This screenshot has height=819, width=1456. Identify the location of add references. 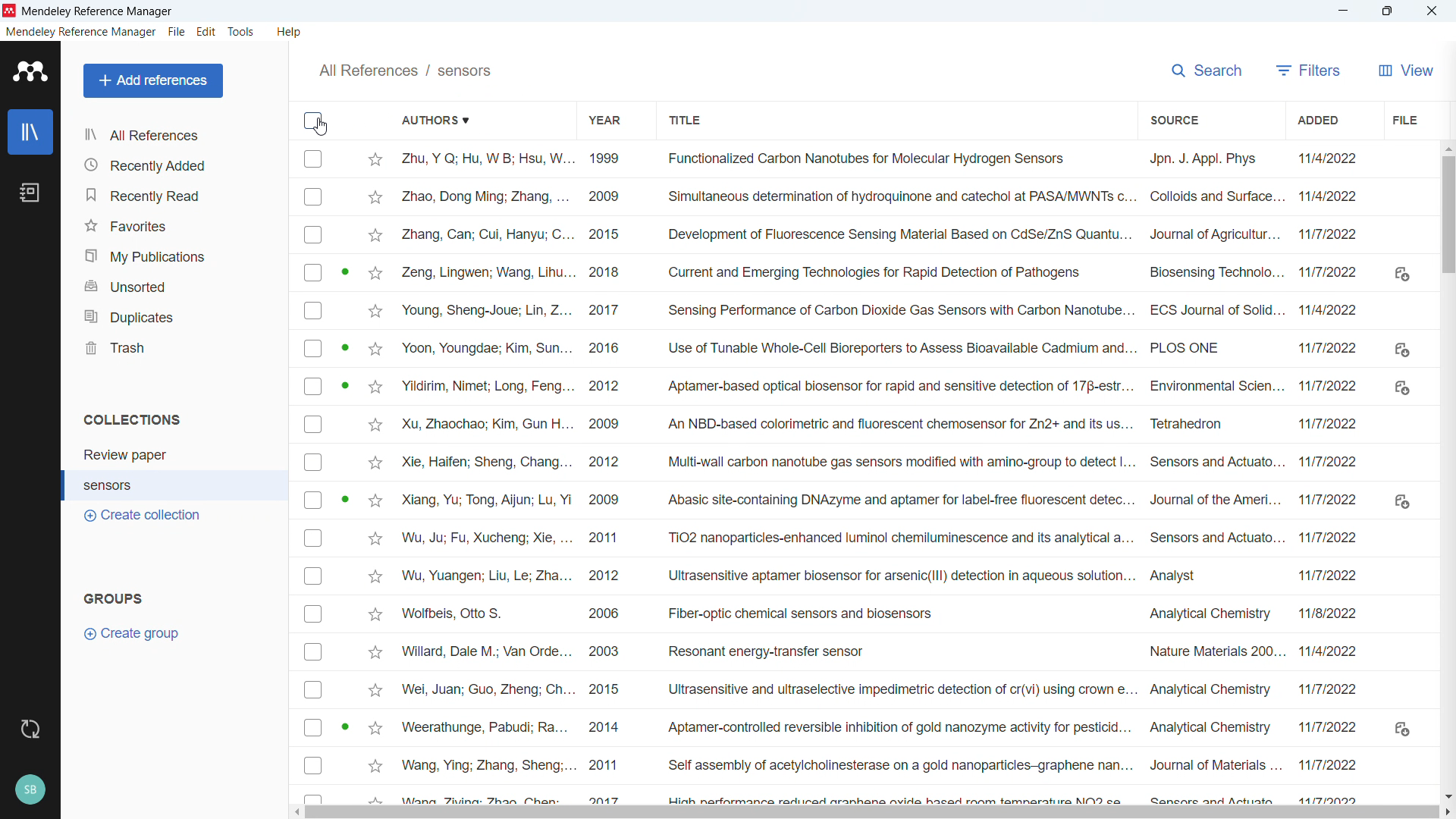
(154, 81).